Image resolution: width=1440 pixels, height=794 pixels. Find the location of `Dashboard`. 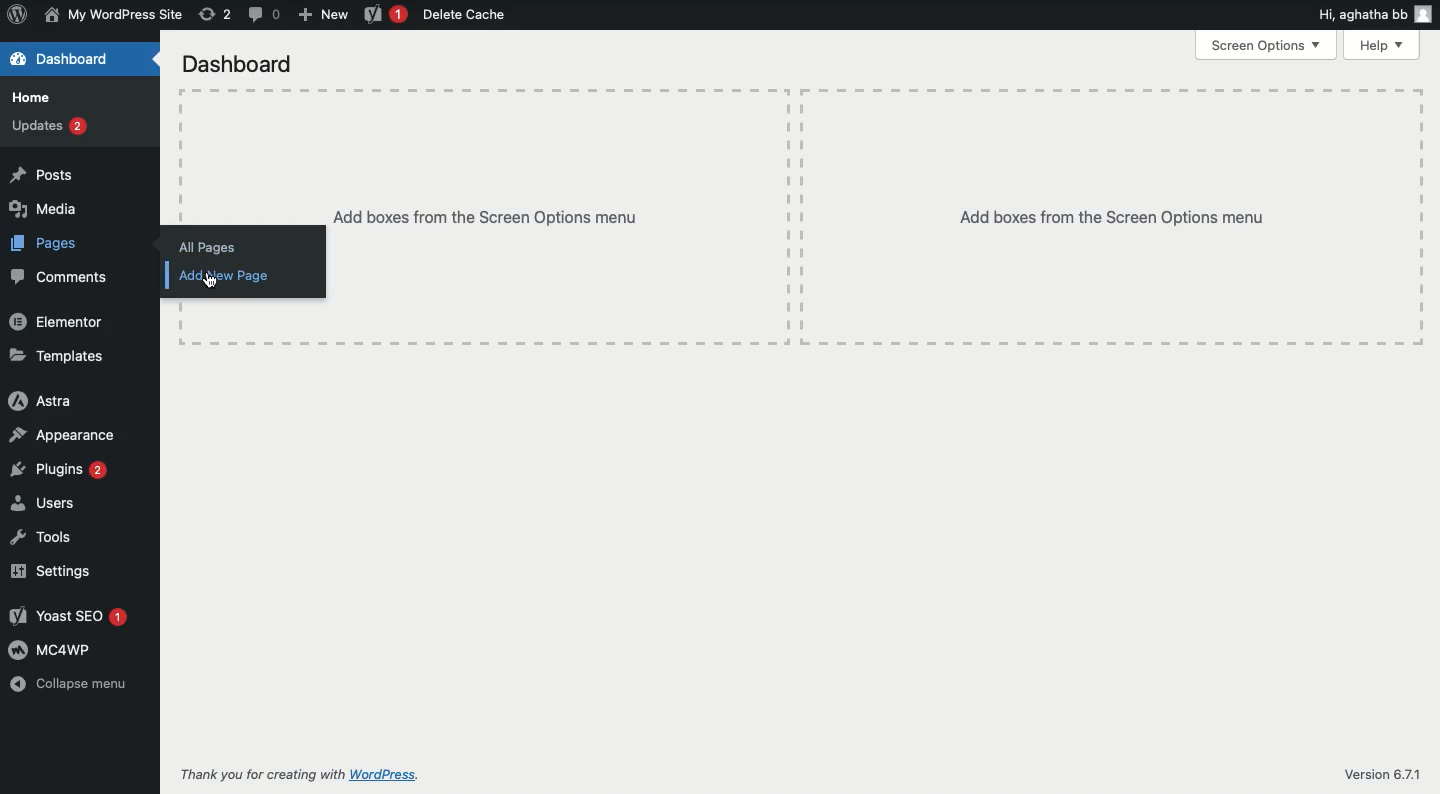

Dashboard is located at coordinates (65, 59).